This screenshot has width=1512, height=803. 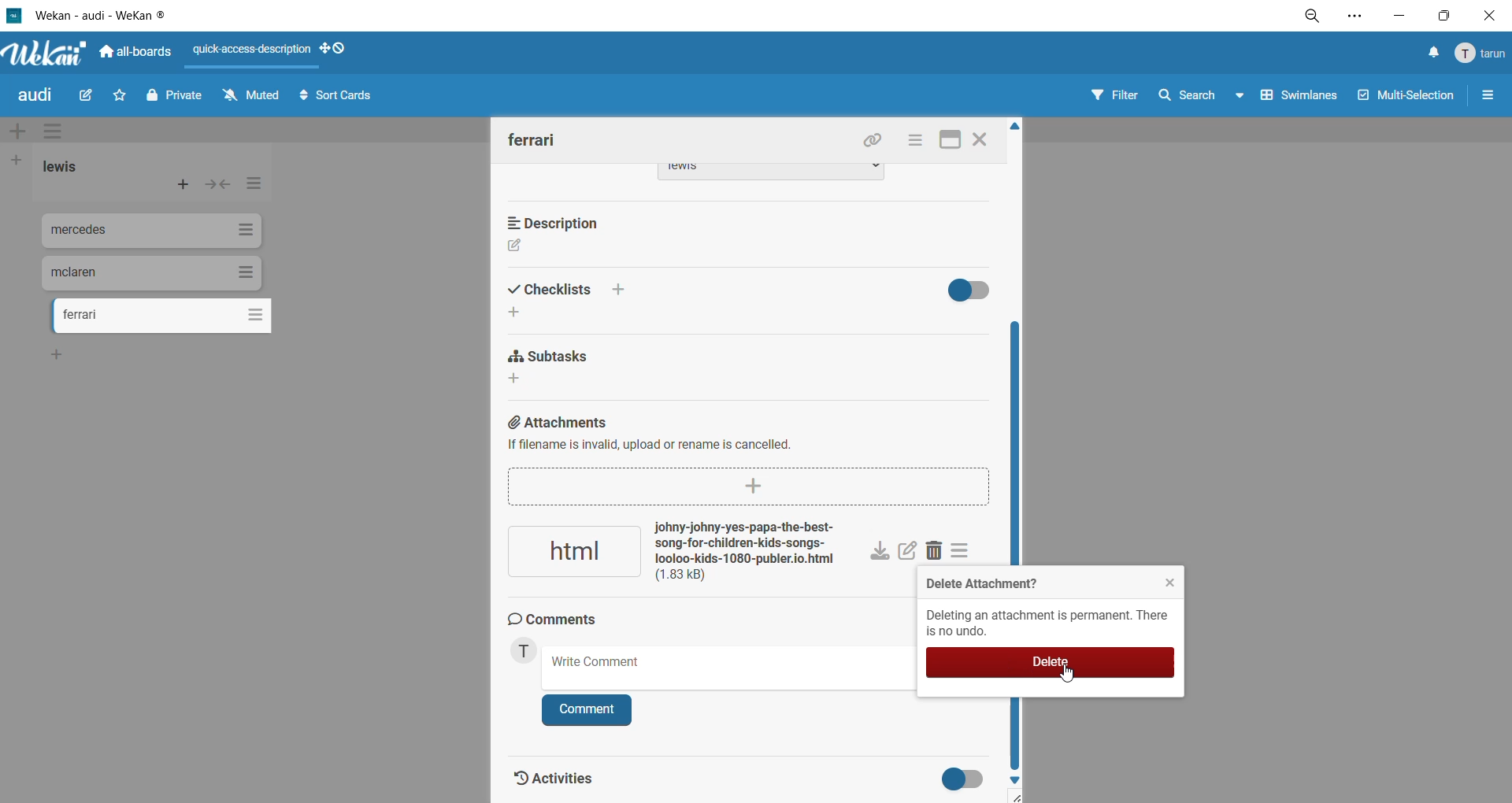 What do you see at coordinates (62, 168) in the screenshot?
I see `list title` at bounding box center [62, 168].